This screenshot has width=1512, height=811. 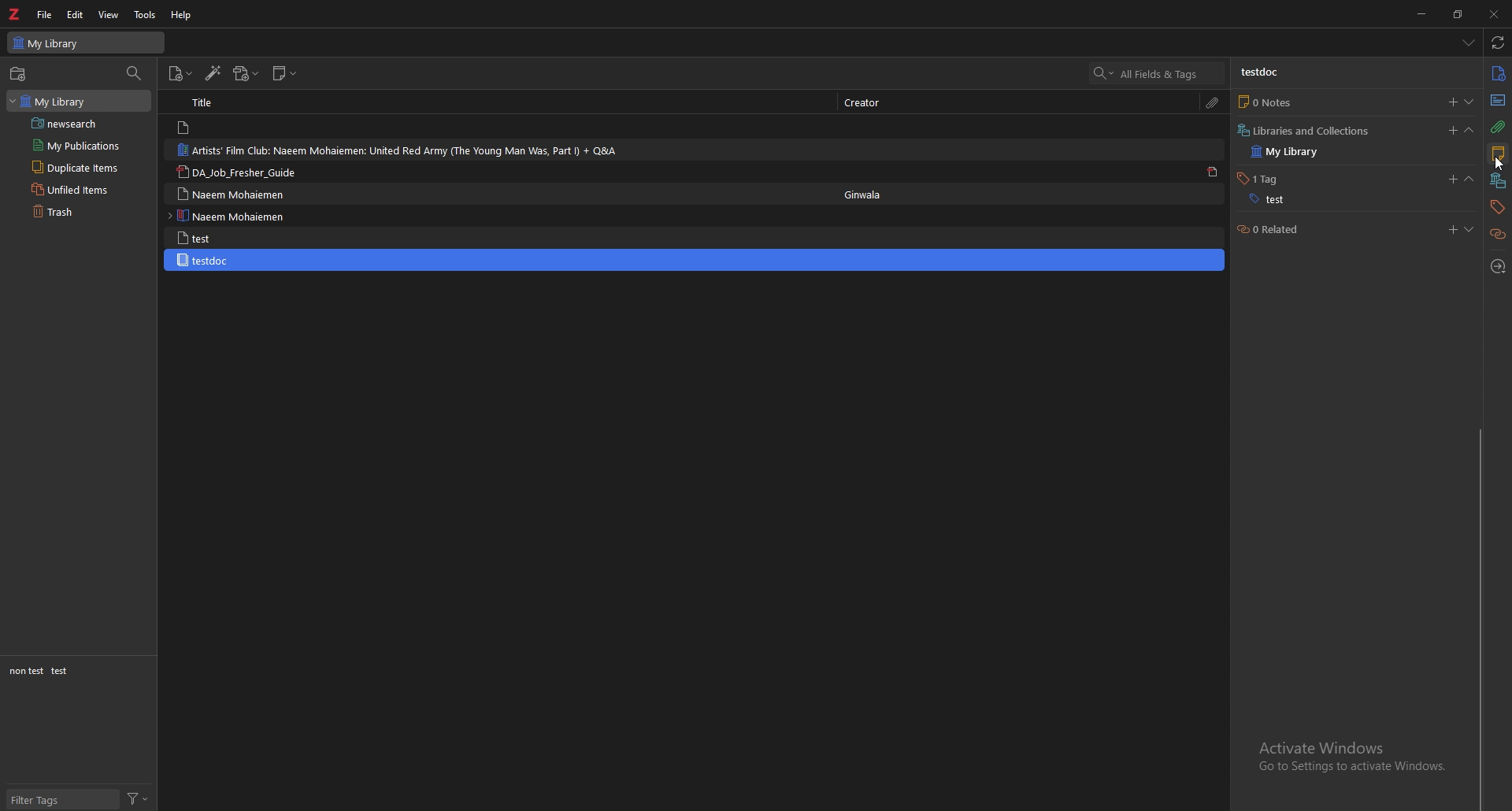 I want to click on sync with zotero.org, so click(x=1498, y=43).